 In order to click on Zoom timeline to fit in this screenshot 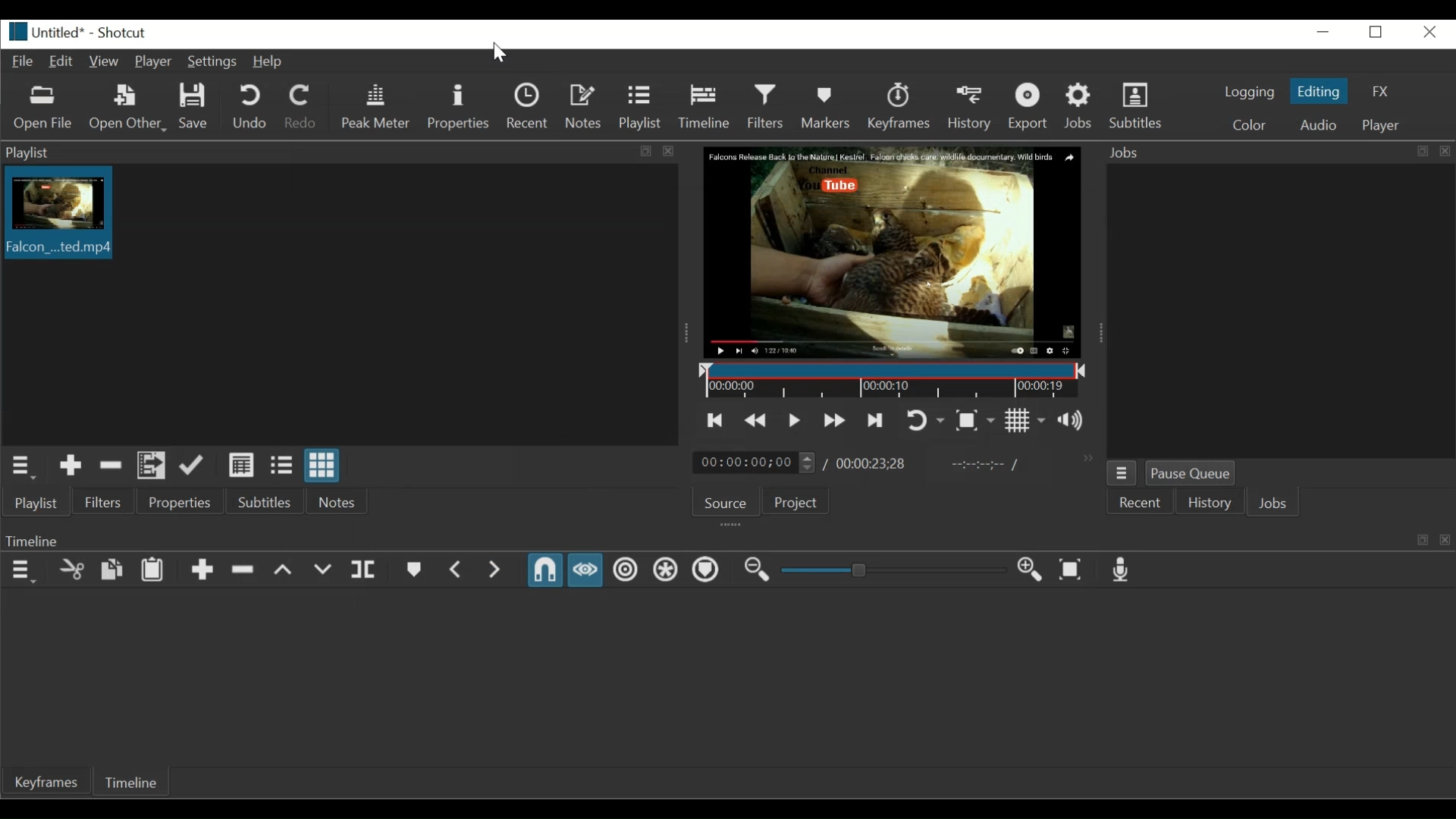, I will do `click(1072, 570)`.